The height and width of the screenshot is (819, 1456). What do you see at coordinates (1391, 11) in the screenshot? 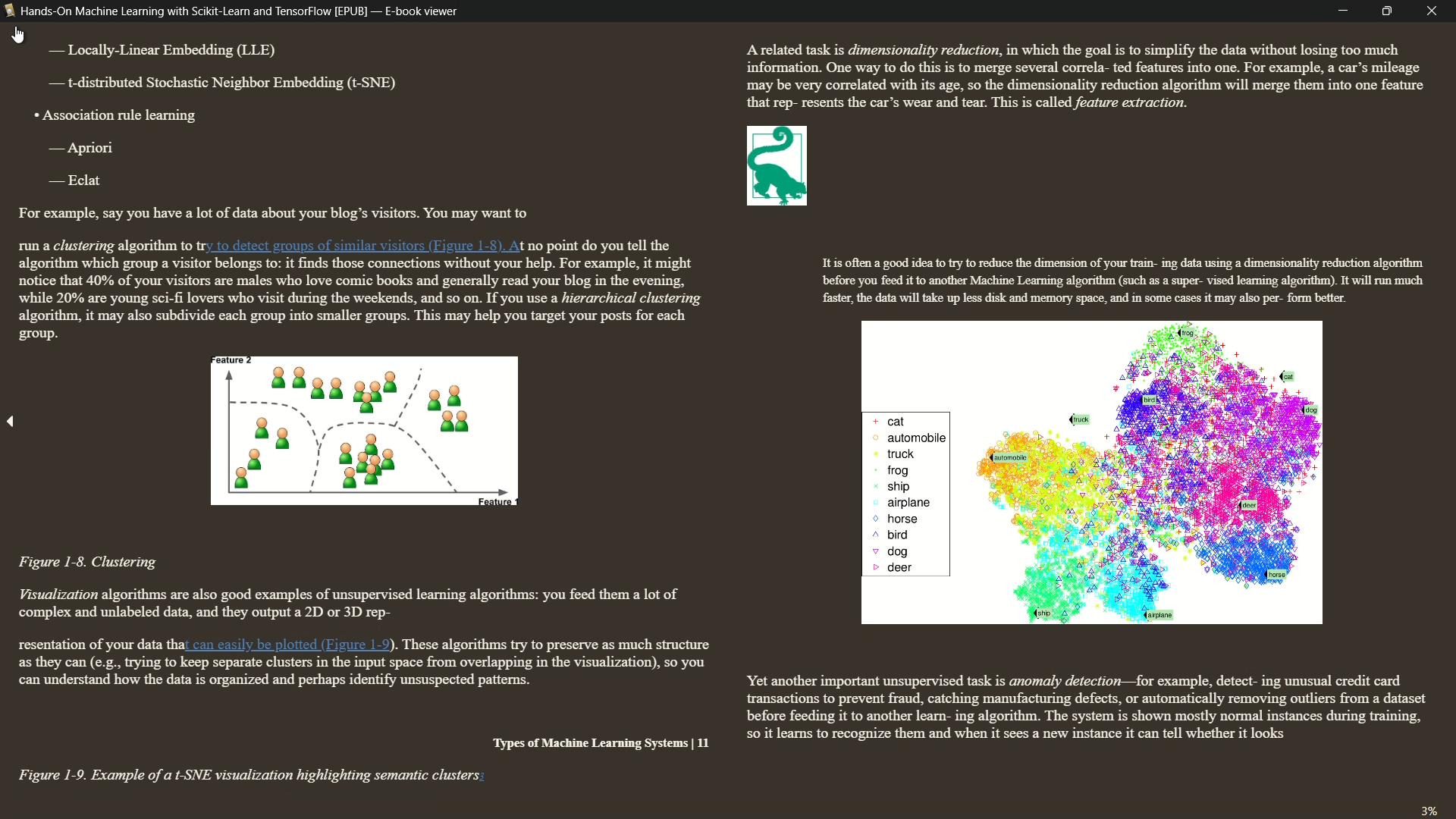
I see `maximize` at bounding box center [1391, 11].